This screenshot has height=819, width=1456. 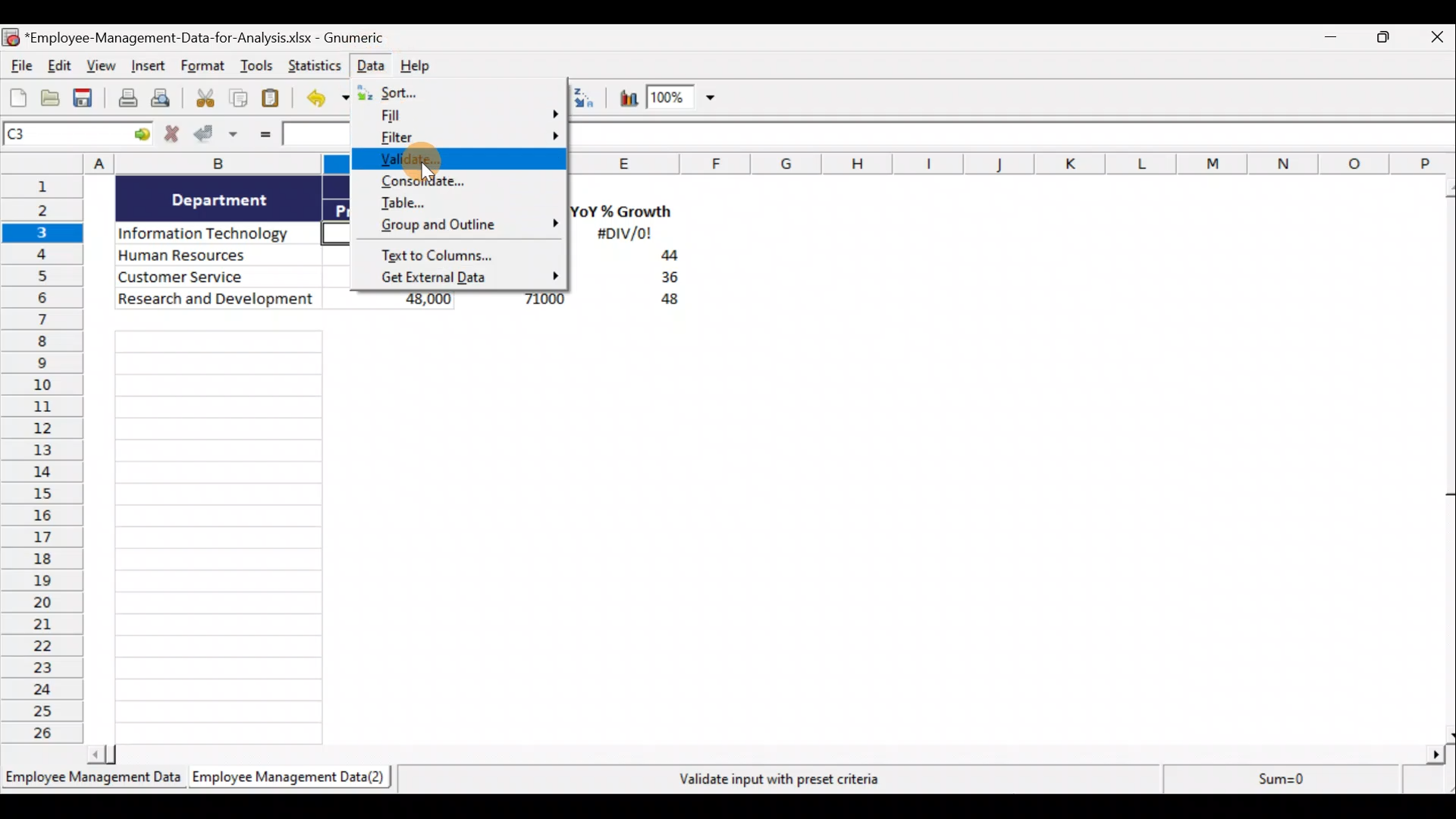 I want to click on Validate input with preset criteria, so click(x=791, y=779).